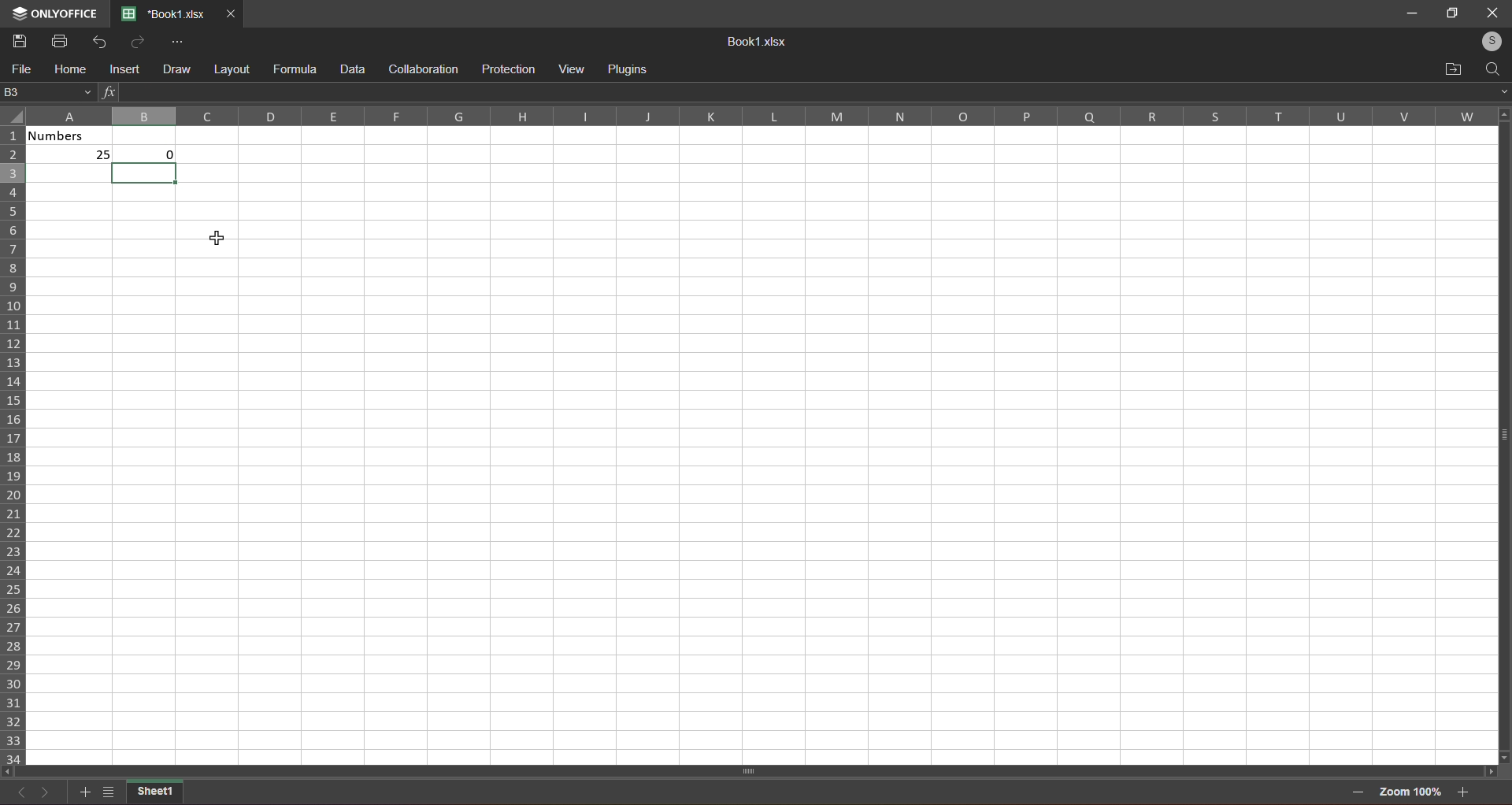  What do you see at coordinates (66, 70) in the screenshot?
I see `home` at bounding box center [66, 70].